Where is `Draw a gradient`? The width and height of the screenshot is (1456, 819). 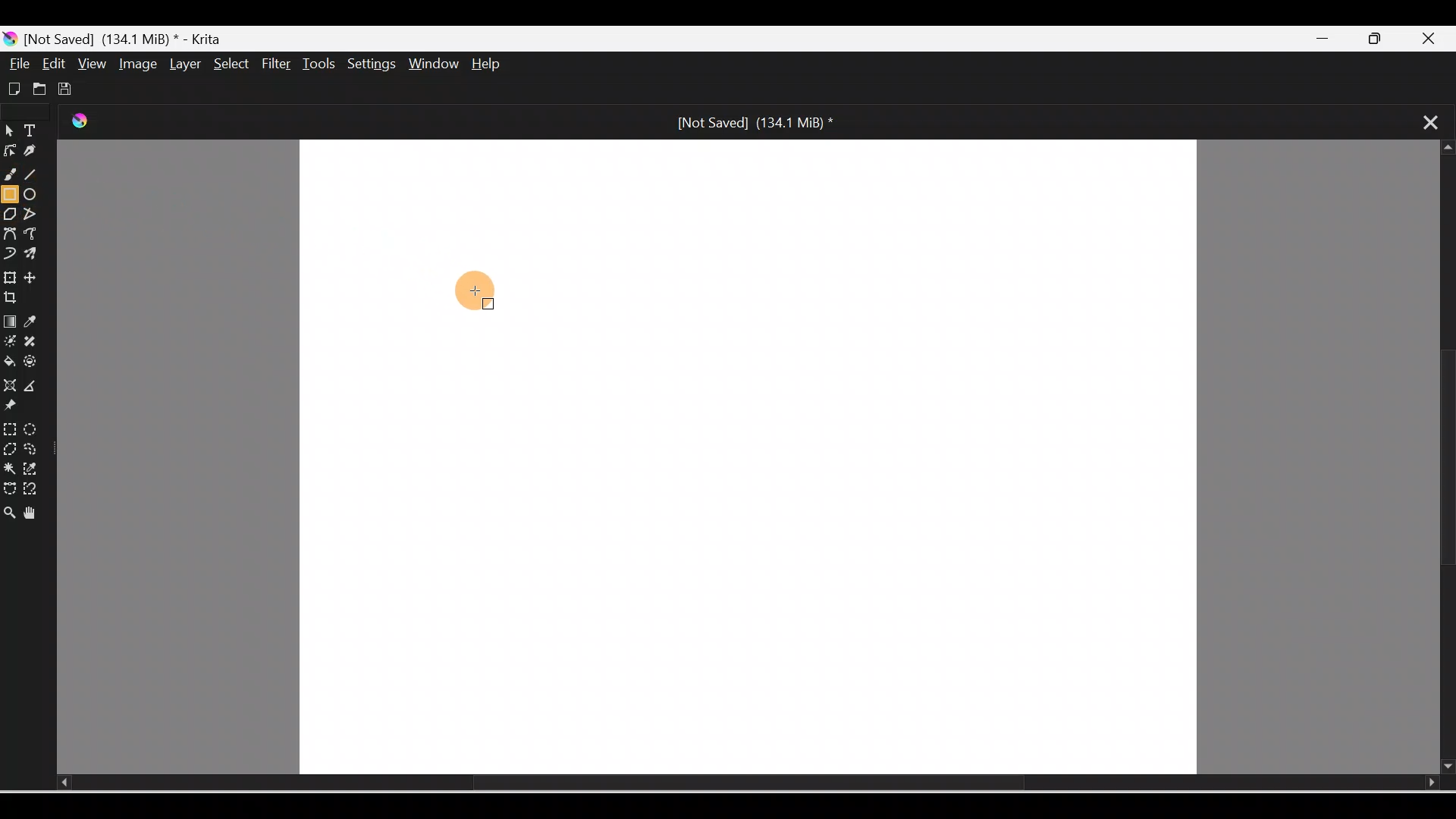 Draw a gradient is located at coordinates (9, 322).